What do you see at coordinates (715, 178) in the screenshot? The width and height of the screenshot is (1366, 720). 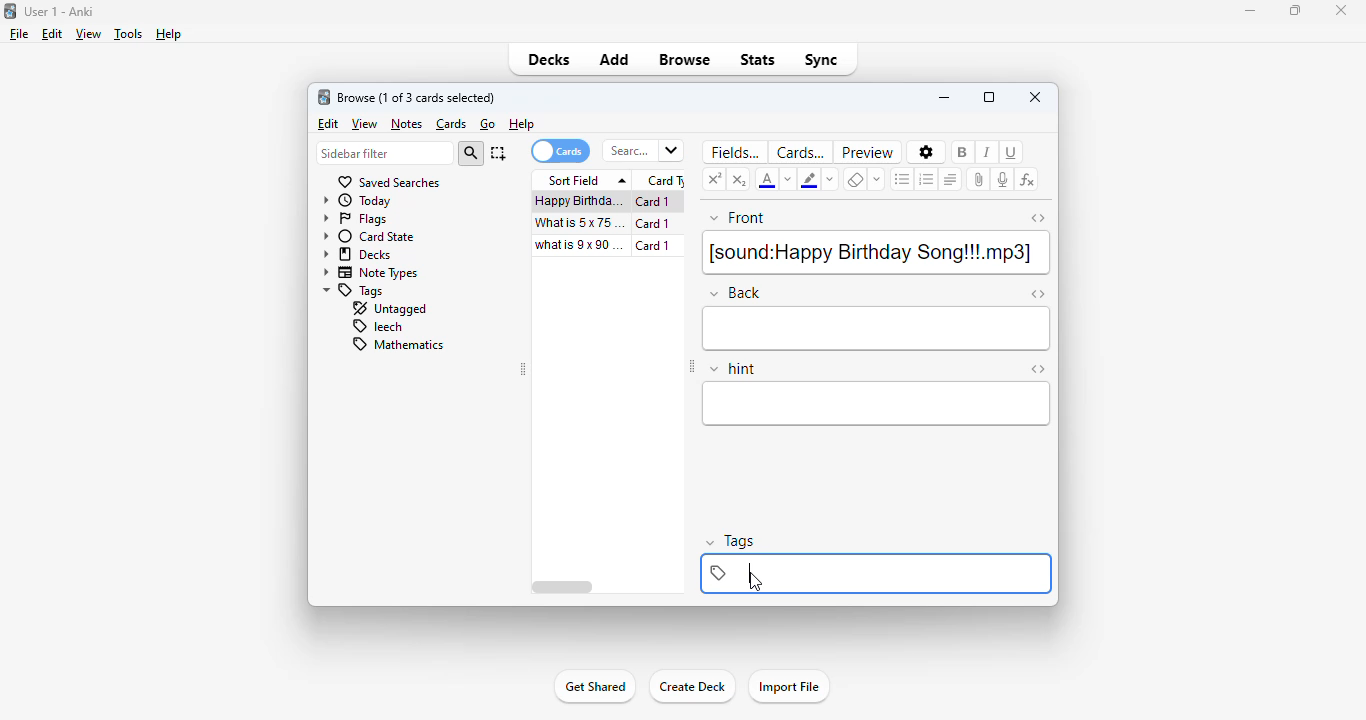 I see `superscript` at bounding box center [715, 178].